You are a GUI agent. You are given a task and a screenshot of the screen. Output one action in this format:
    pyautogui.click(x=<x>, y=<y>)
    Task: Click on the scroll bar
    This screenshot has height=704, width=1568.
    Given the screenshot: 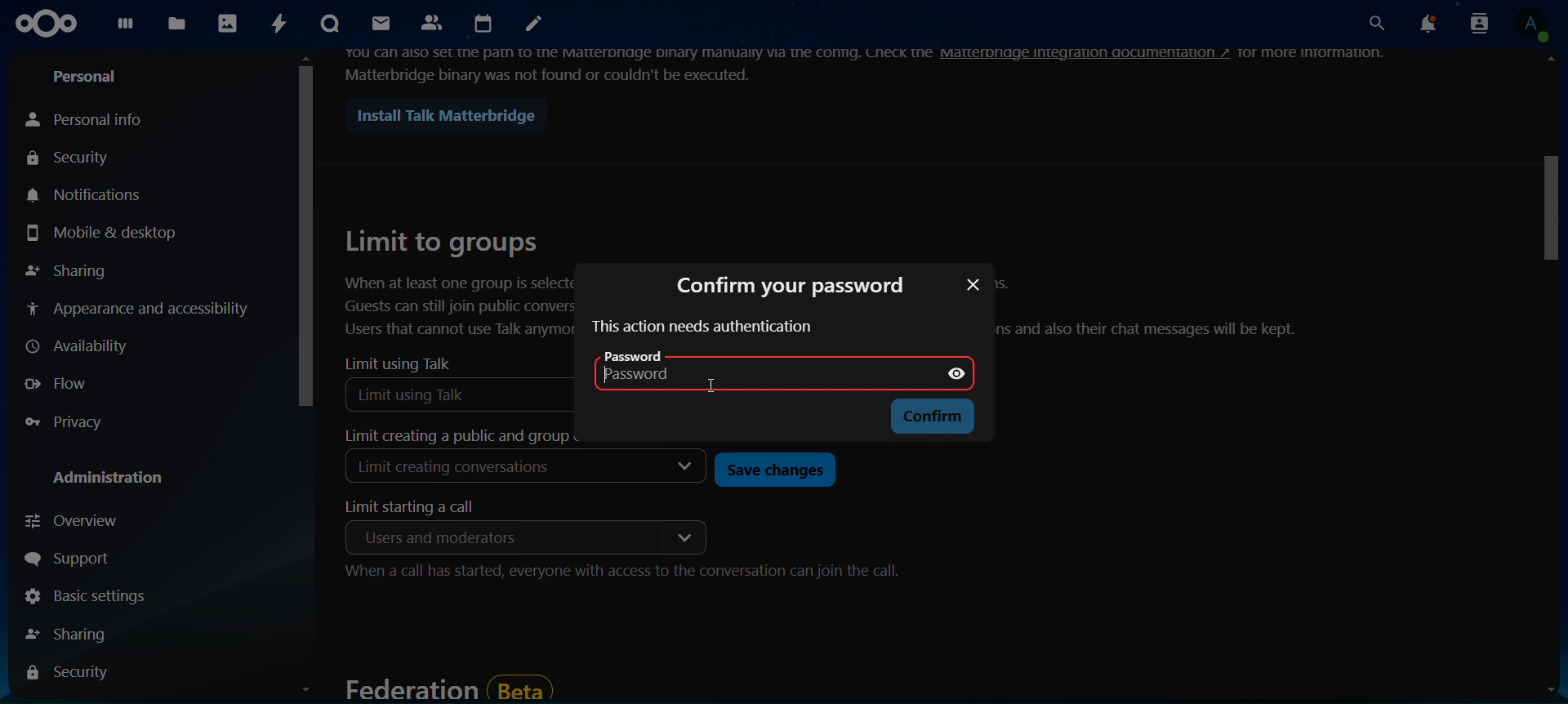 What is the action you would take?
    pyautogui.click(x=307, y=381)
    